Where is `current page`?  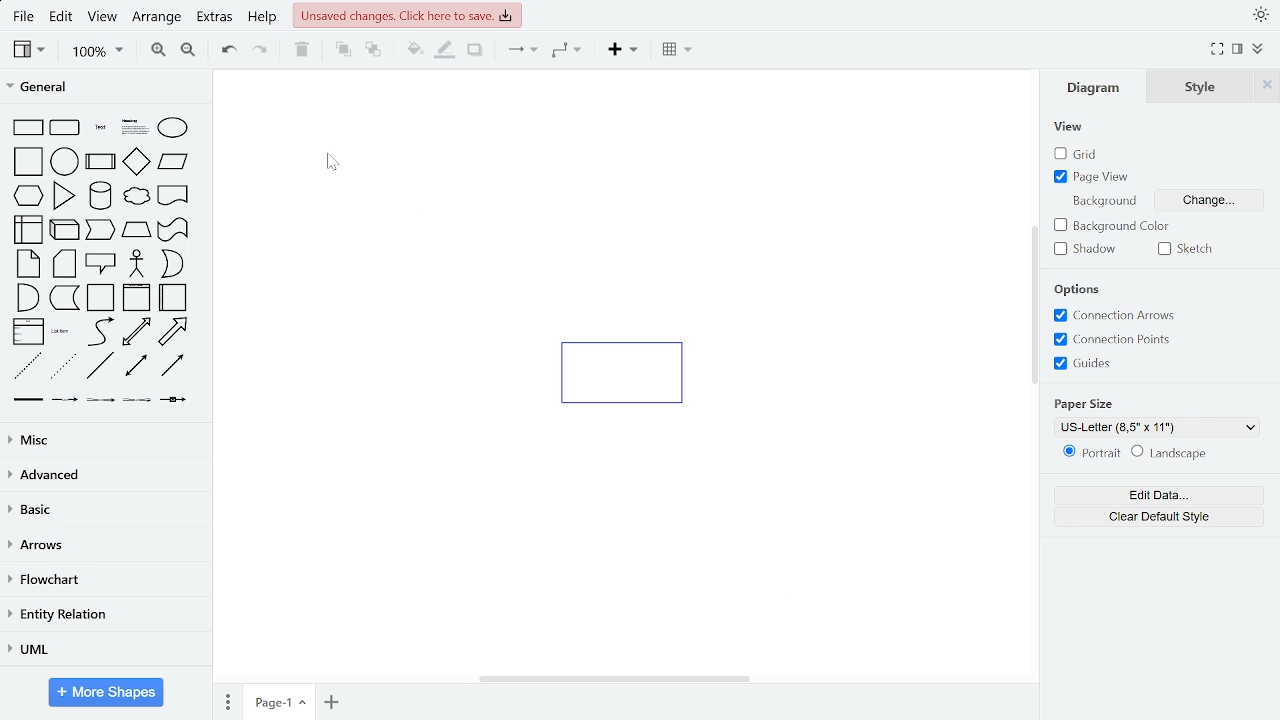
current page is located at coordinates (281, 703).